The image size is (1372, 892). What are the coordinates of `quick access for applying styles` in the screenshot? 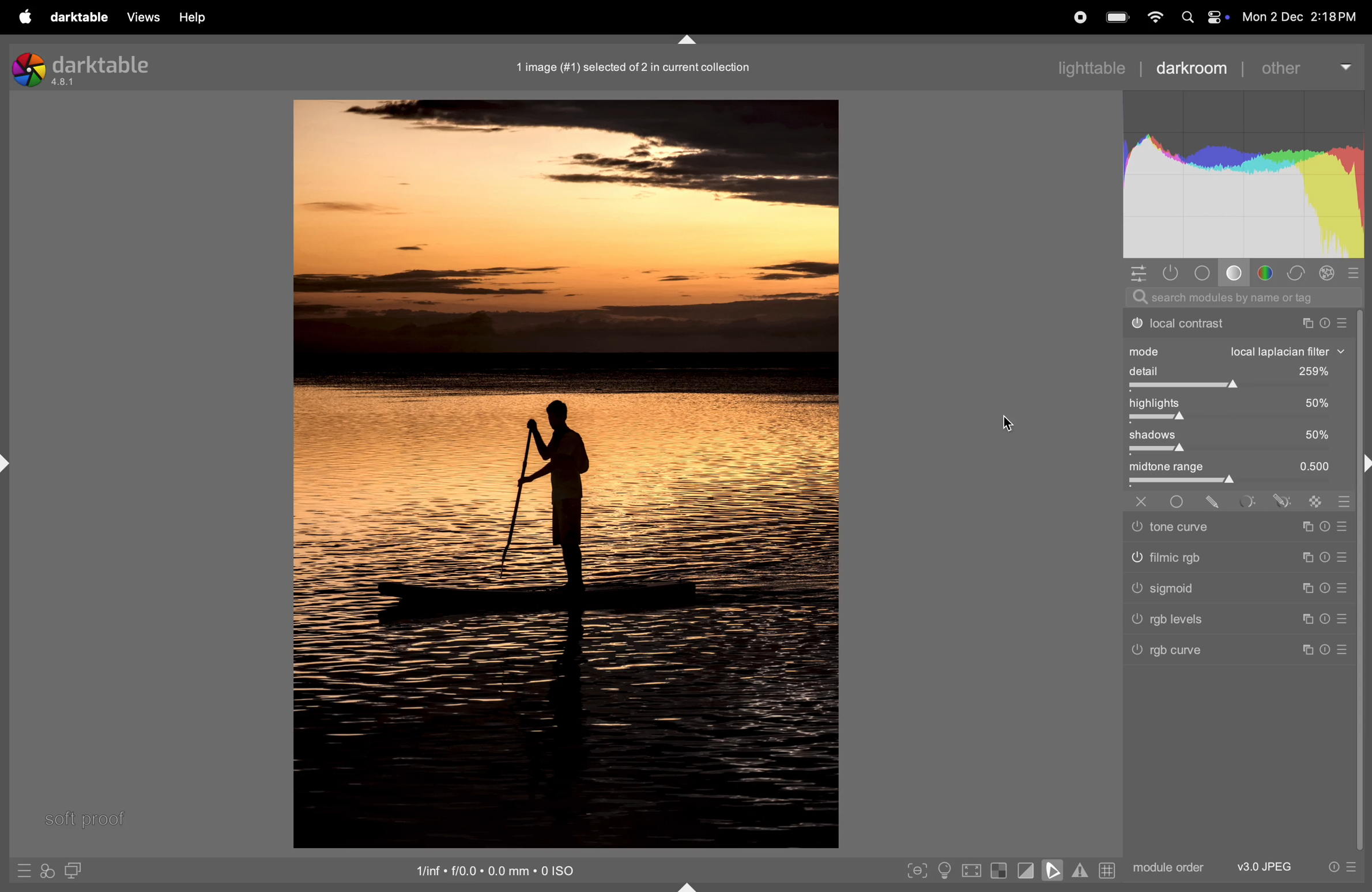 It's located at (47, 871).